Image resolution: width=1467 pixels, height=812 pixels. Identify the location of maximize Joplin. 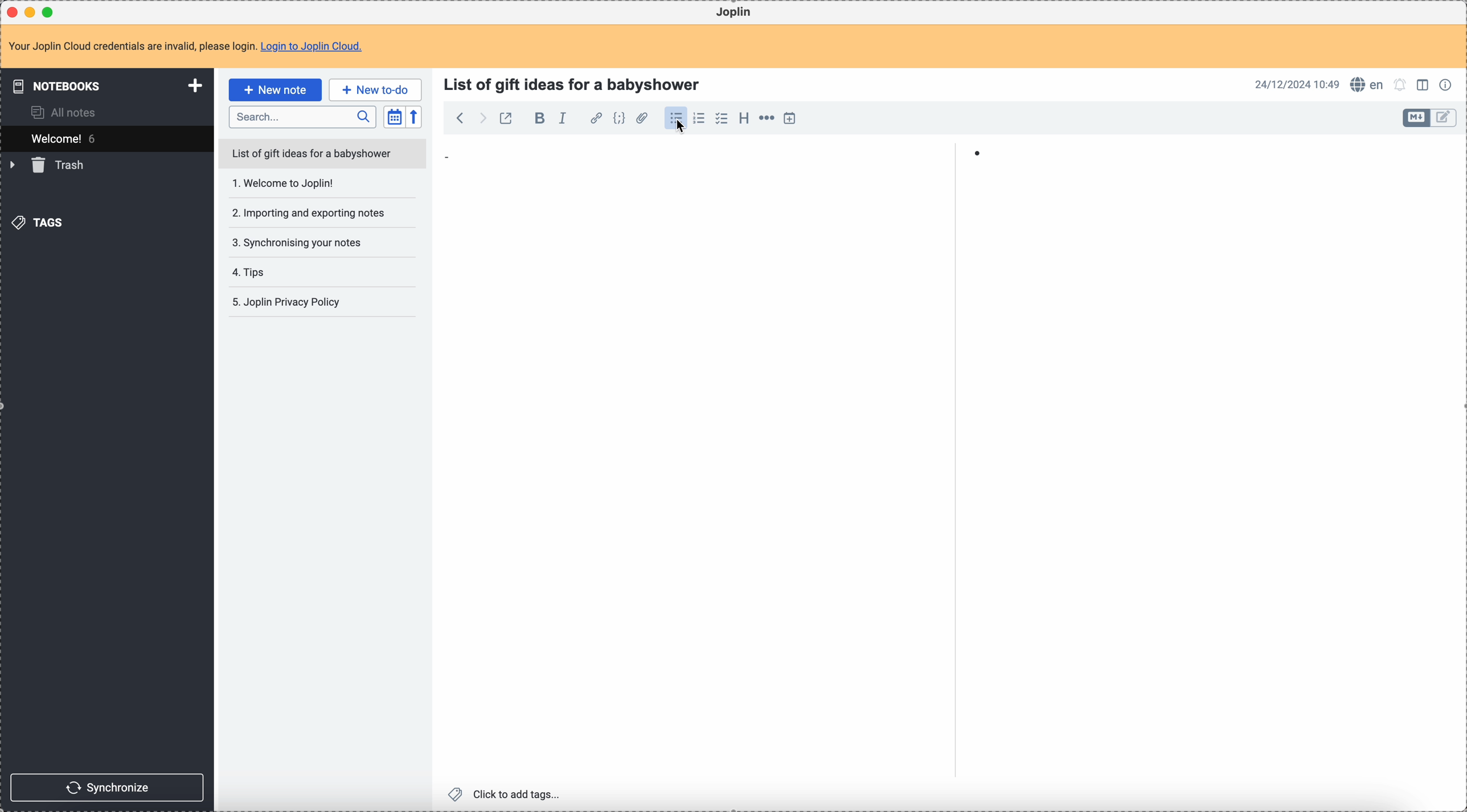
(51, 11).